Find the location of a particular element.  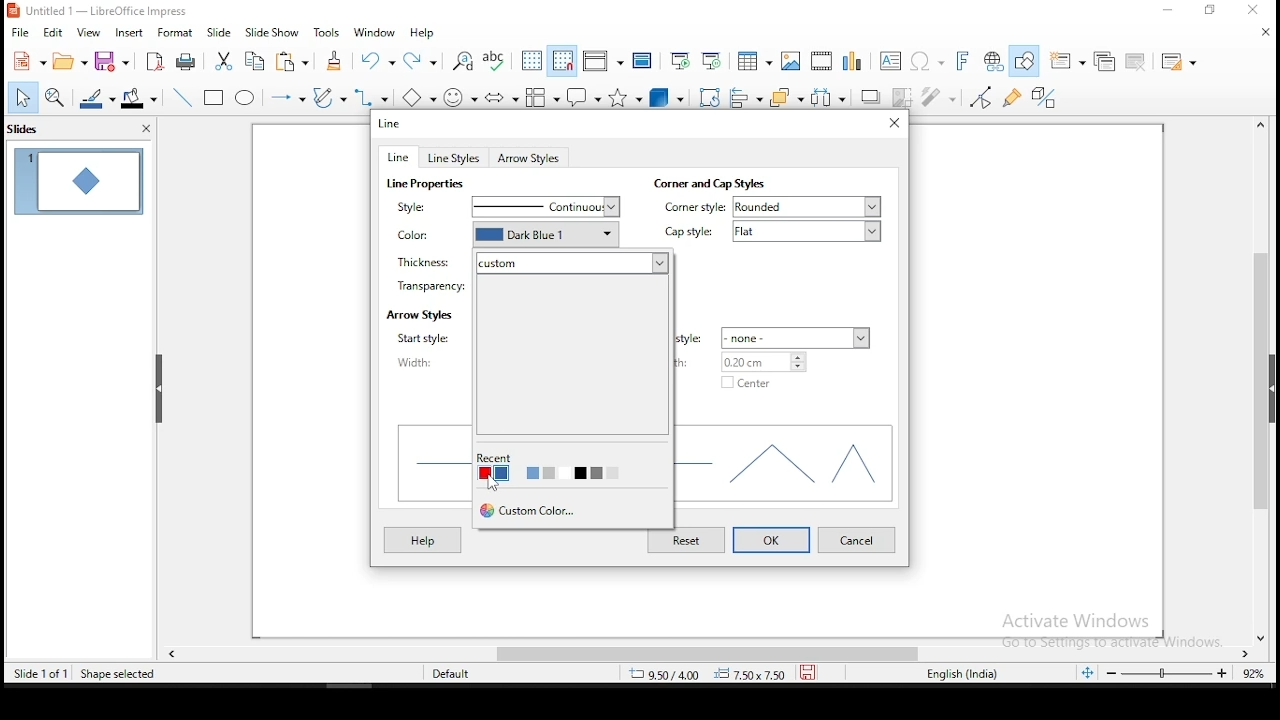

0.20 cm is located at coordinates (772, 362).